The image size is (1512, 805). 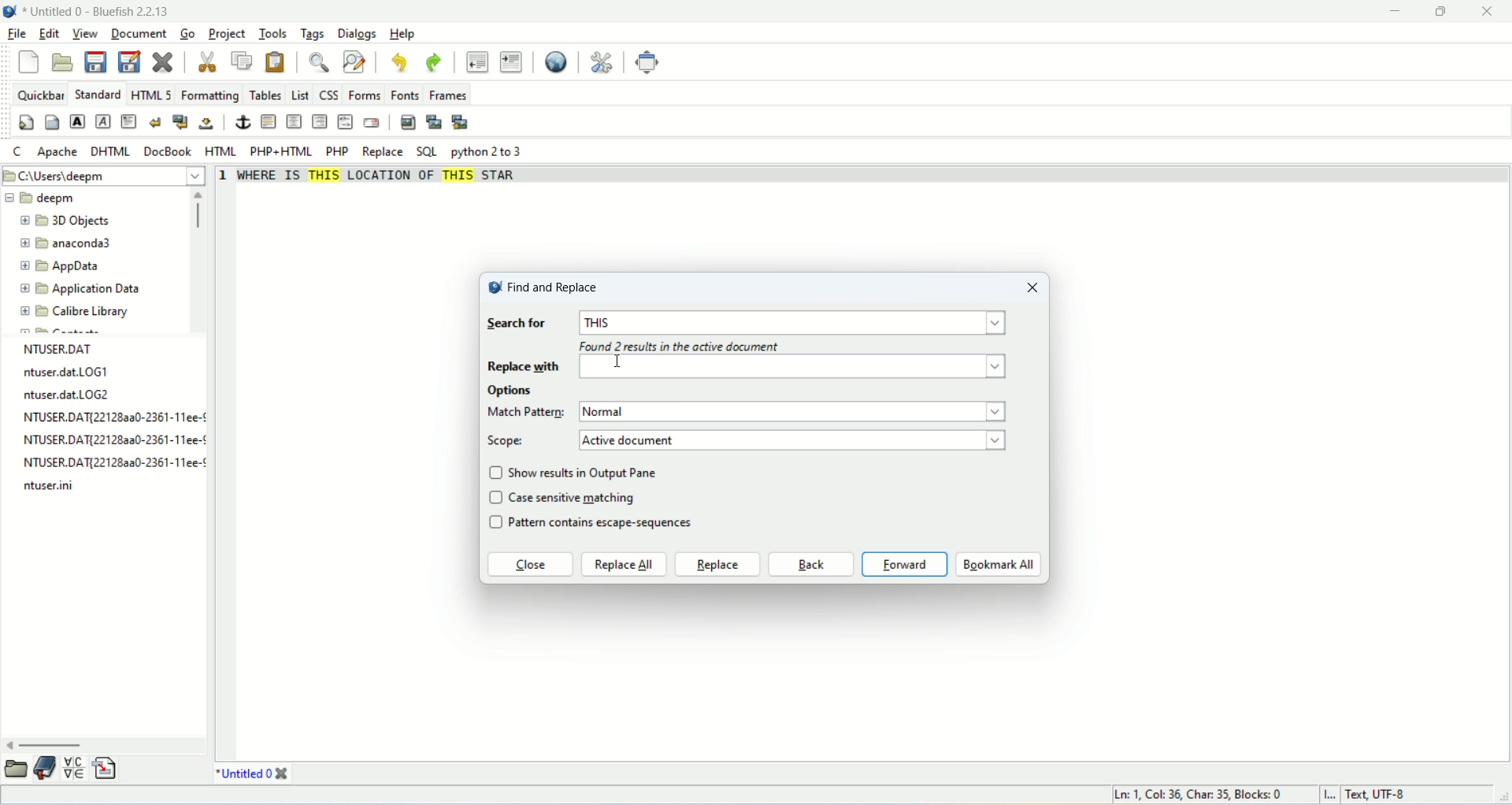 What do you see at coordinates (337, 150) in the screenshot?
I see `PHP` at bounding box center [337, 150].